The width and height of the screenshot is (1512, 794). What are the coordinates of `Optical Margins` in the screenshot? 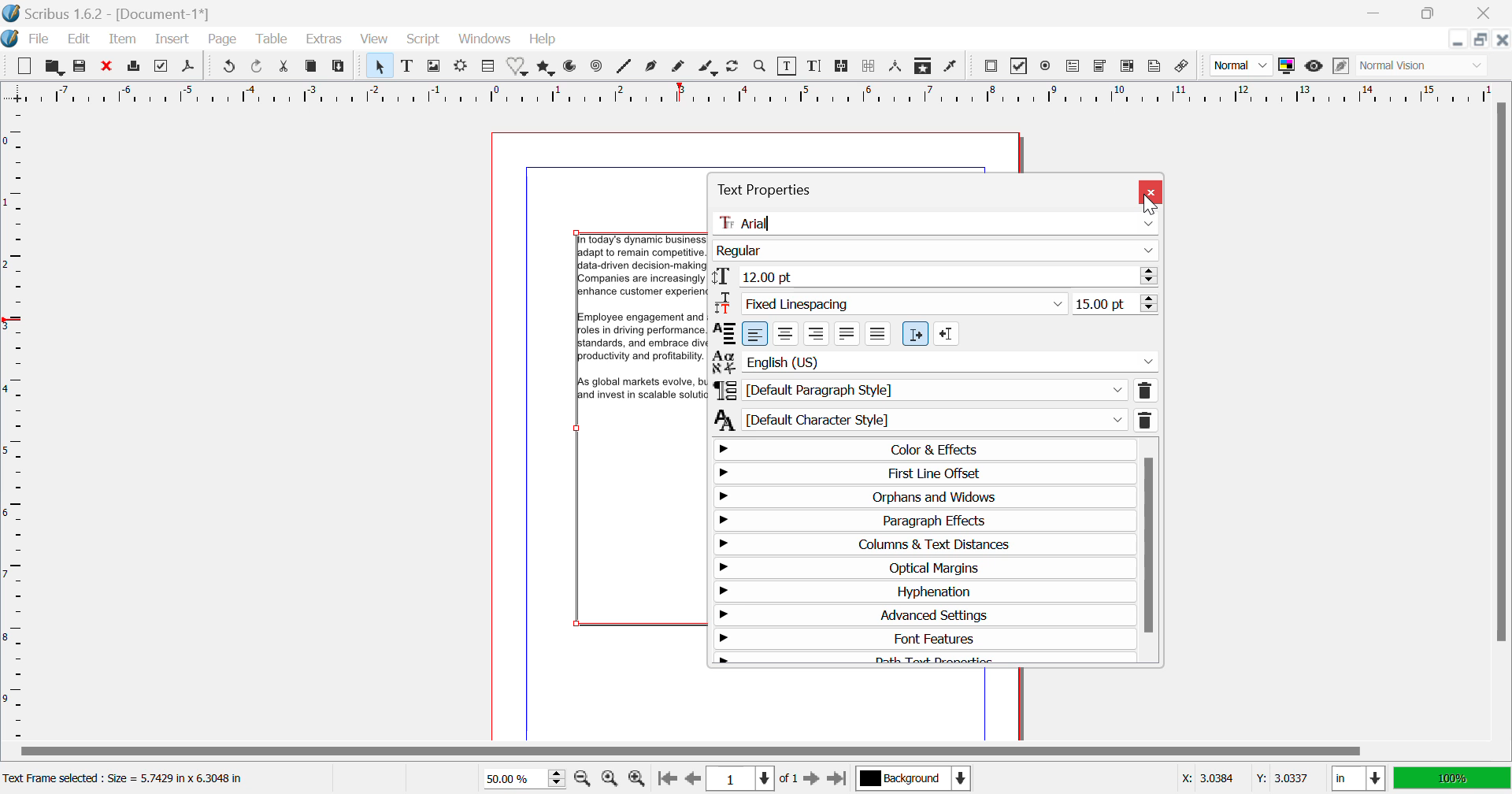 It's located at (925, 570).